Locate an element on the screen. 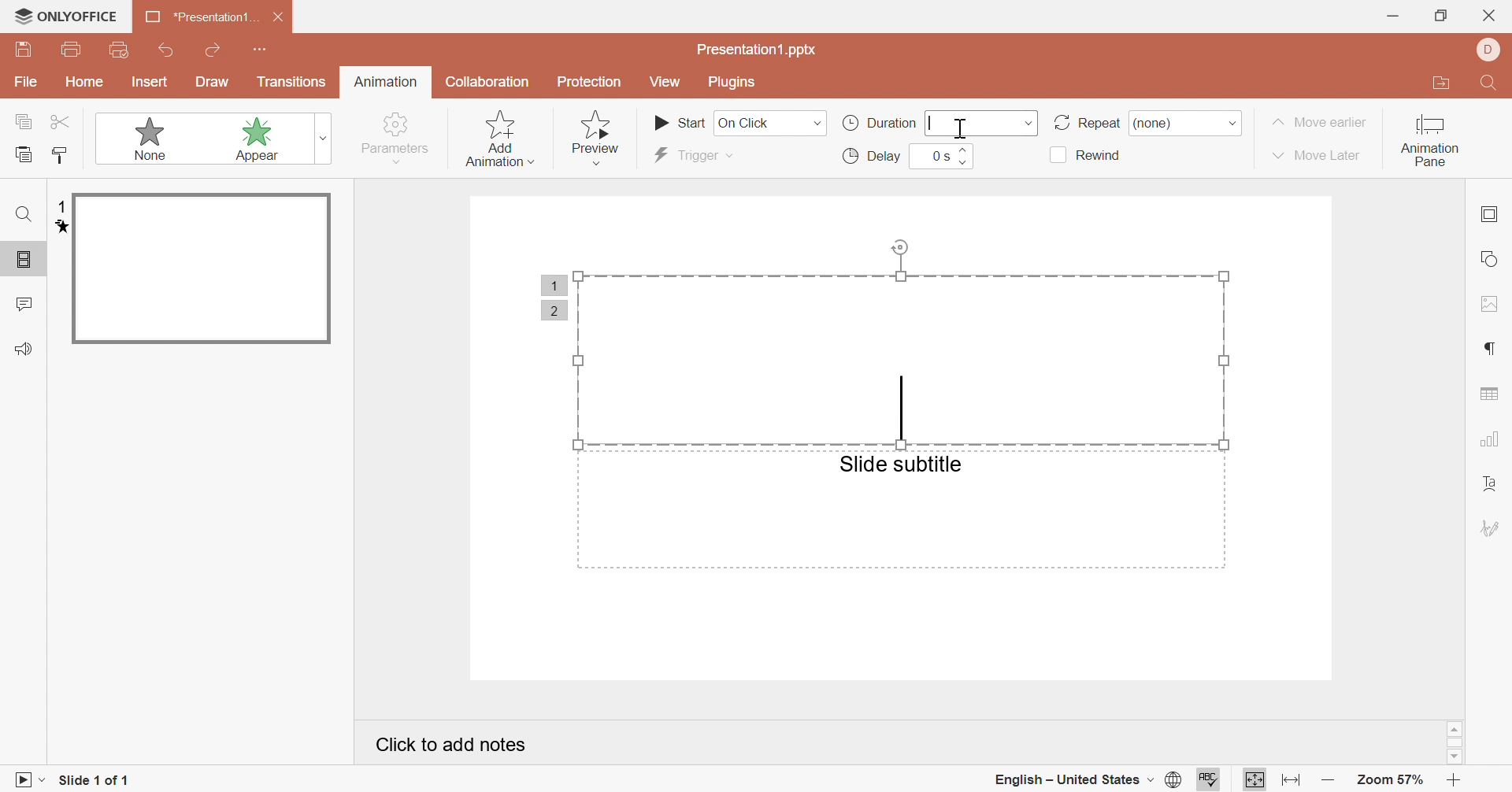  start is located at coordinates (680, 121).